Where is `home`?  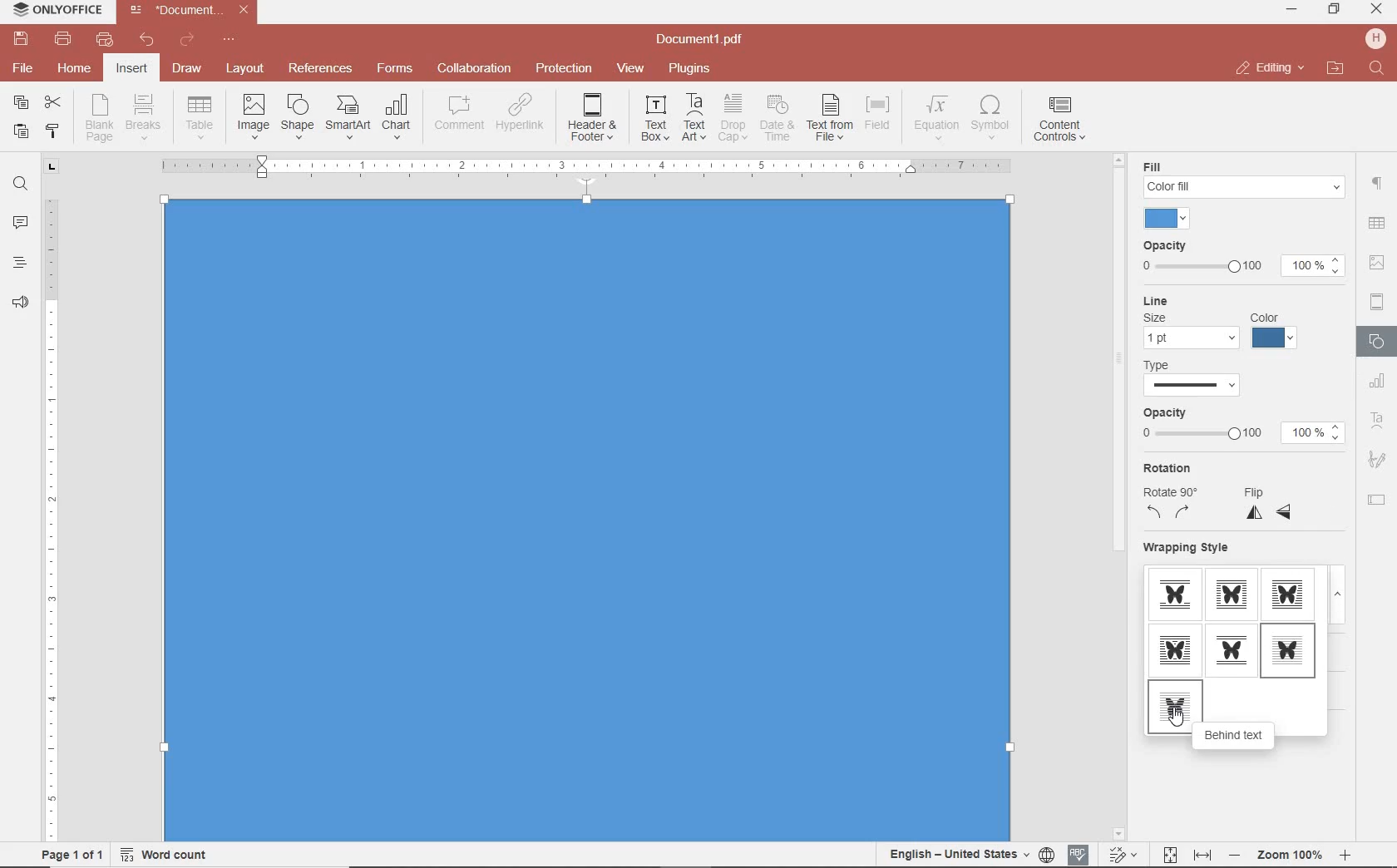
home is located at coordinates (72, 67).